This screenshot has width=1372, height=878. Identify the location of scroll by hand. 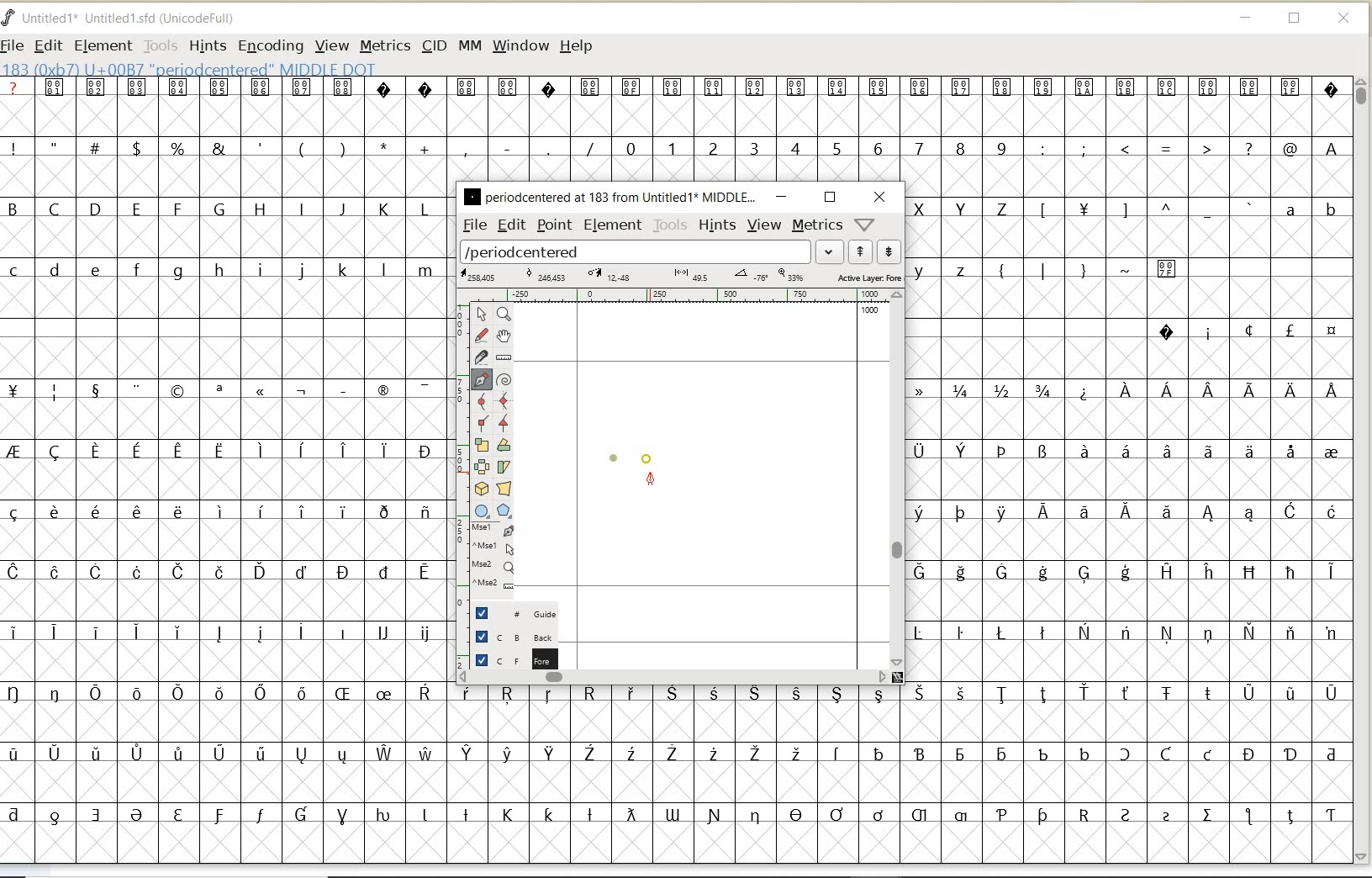
(503, 336).